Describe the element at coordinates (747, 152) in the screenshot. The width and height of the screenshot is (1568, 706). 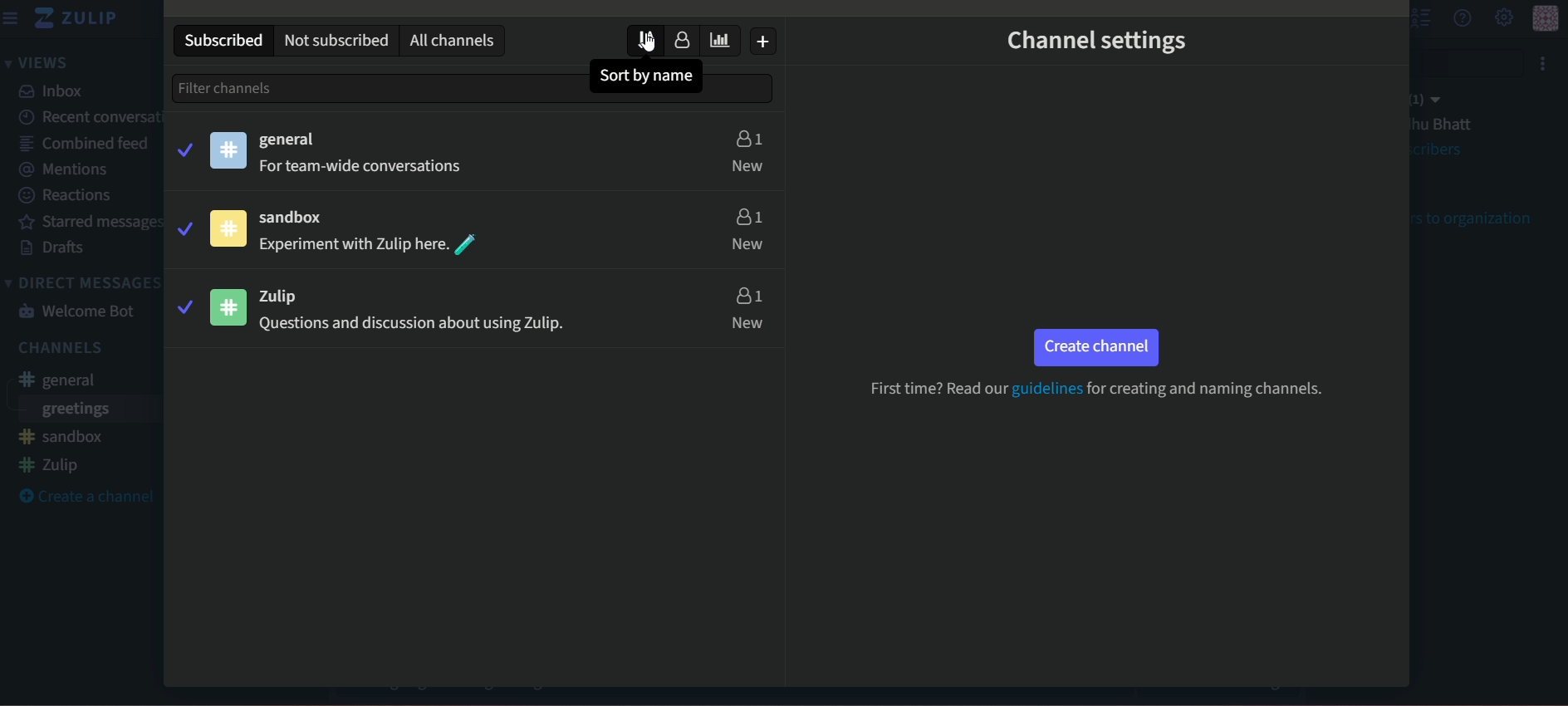
I see `users` at that location.